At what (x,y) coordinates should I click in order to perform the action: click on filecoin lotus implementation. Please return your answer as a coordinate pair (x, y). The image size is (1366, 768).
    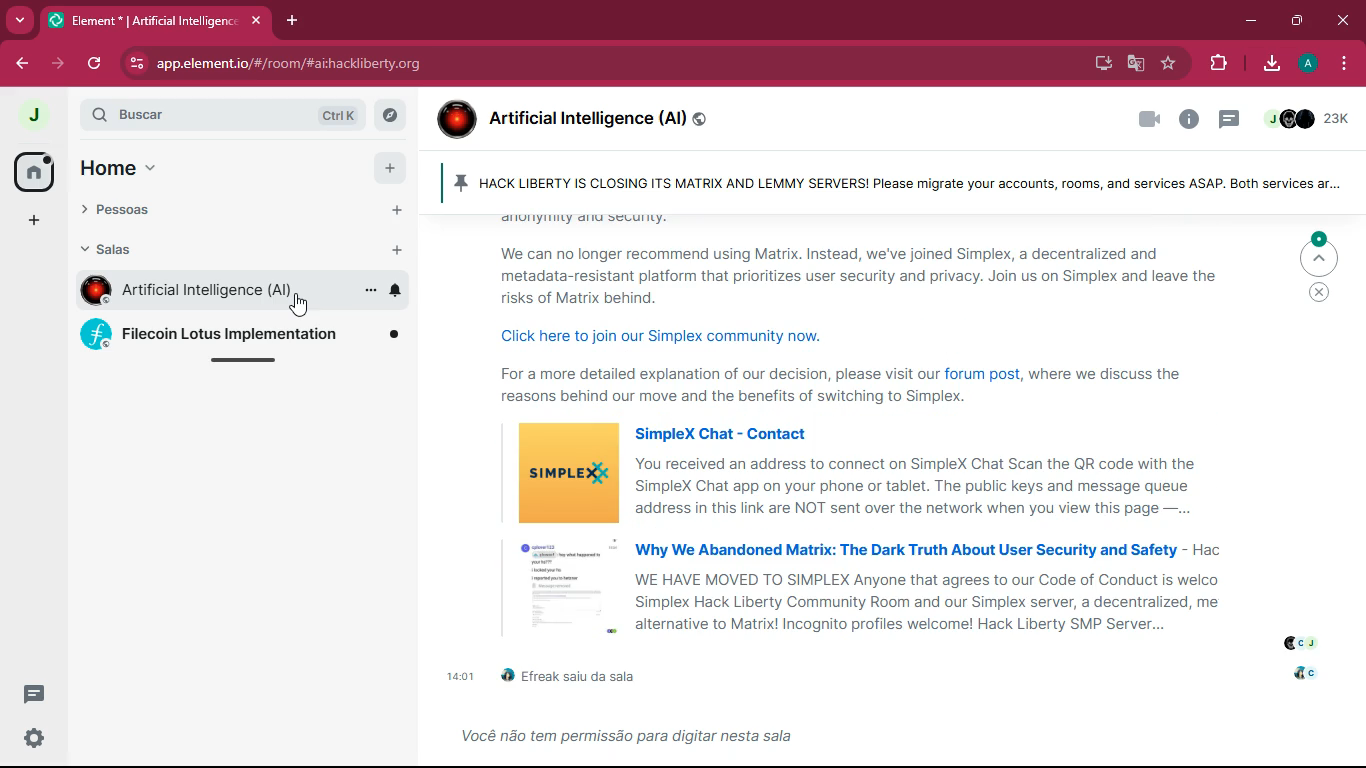
    Looking at the image, I should click on (240, 334).